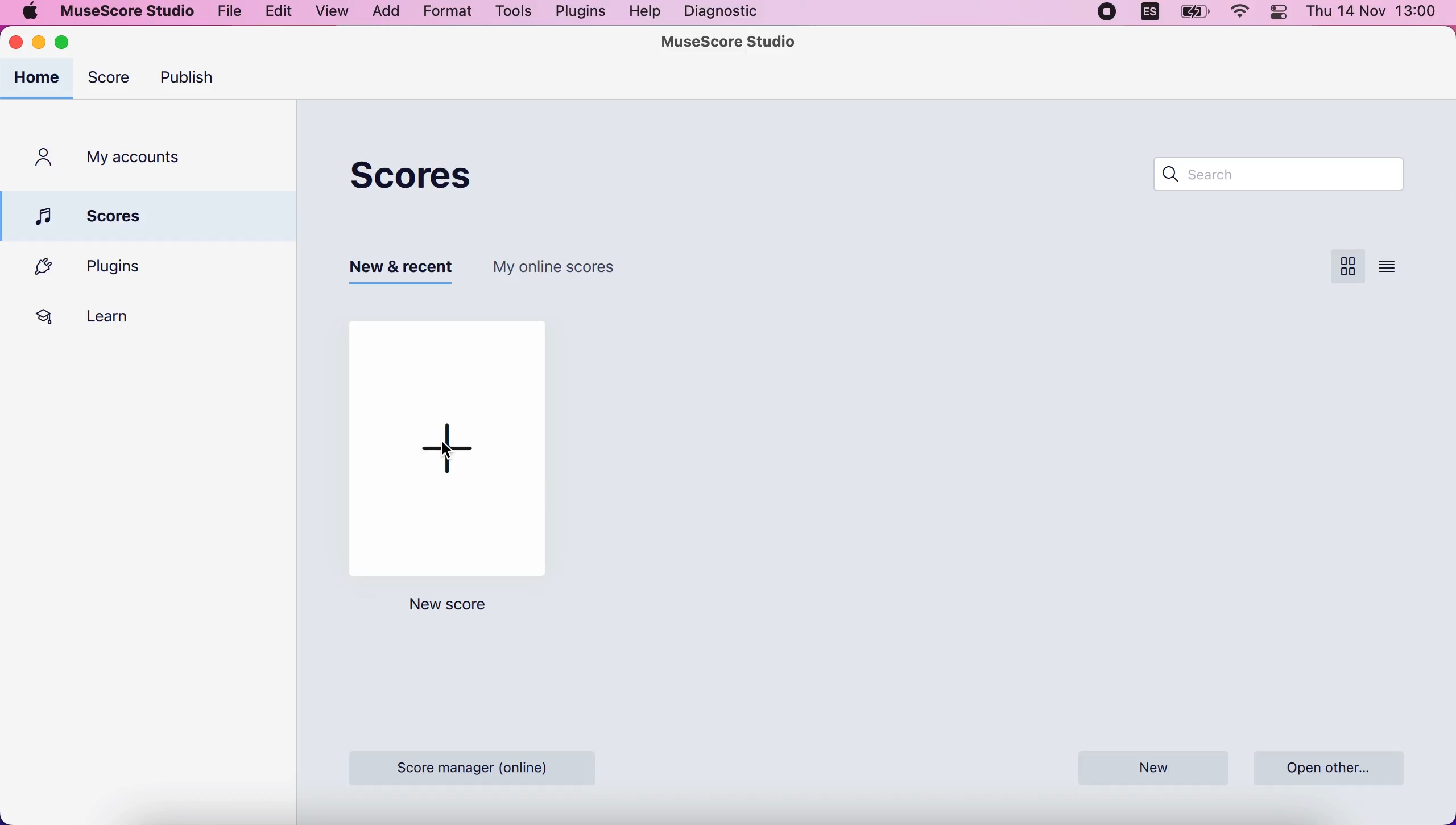 This screenshot has height=825, width=1456. What do you see at coordinates (721, 12) in the screenshot?
I see `diagnostic` at bounding box center [721, 12].